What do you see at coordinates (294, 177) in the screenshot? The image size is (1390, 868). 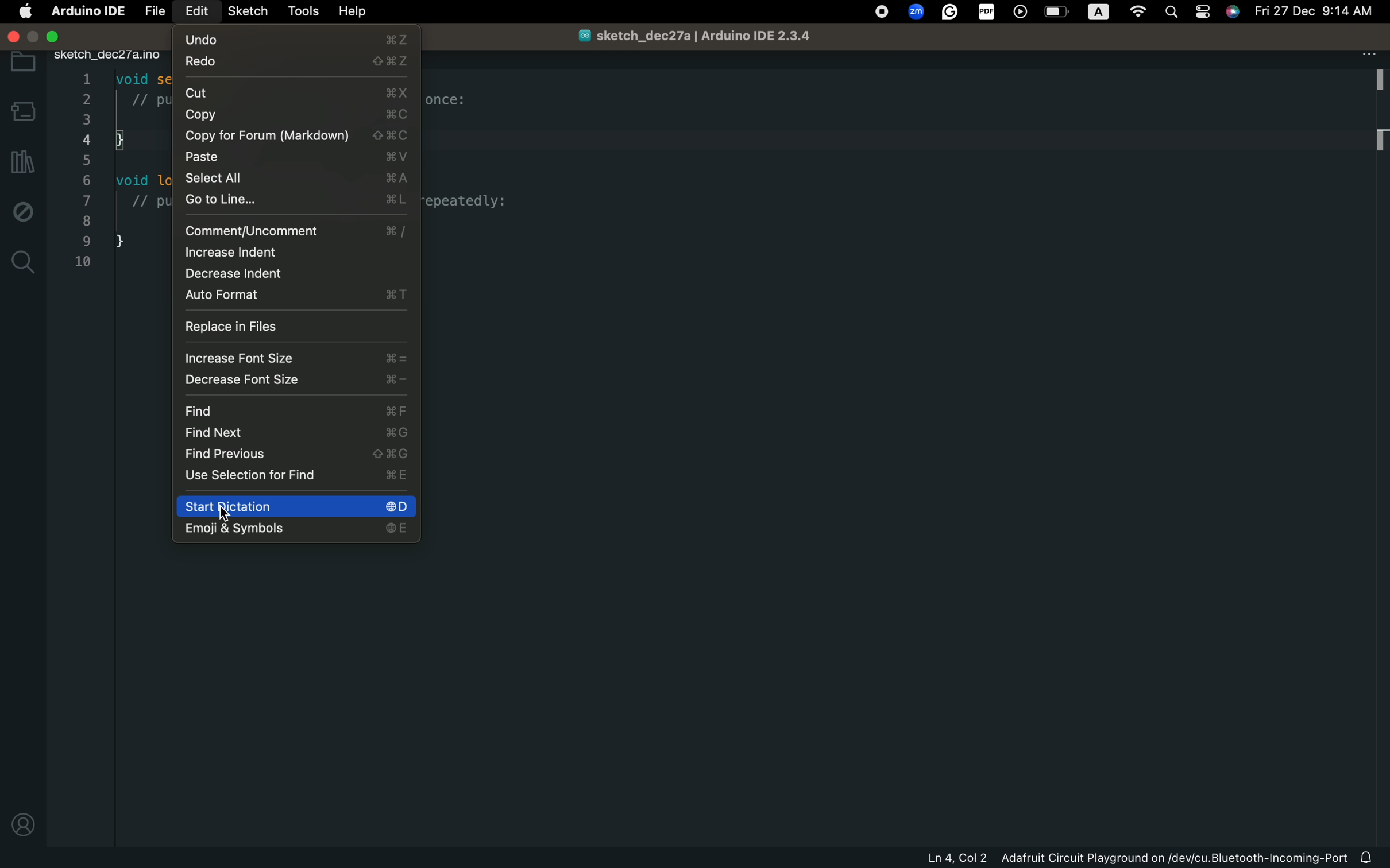 I see `select all` at bounding box center [294, 177].